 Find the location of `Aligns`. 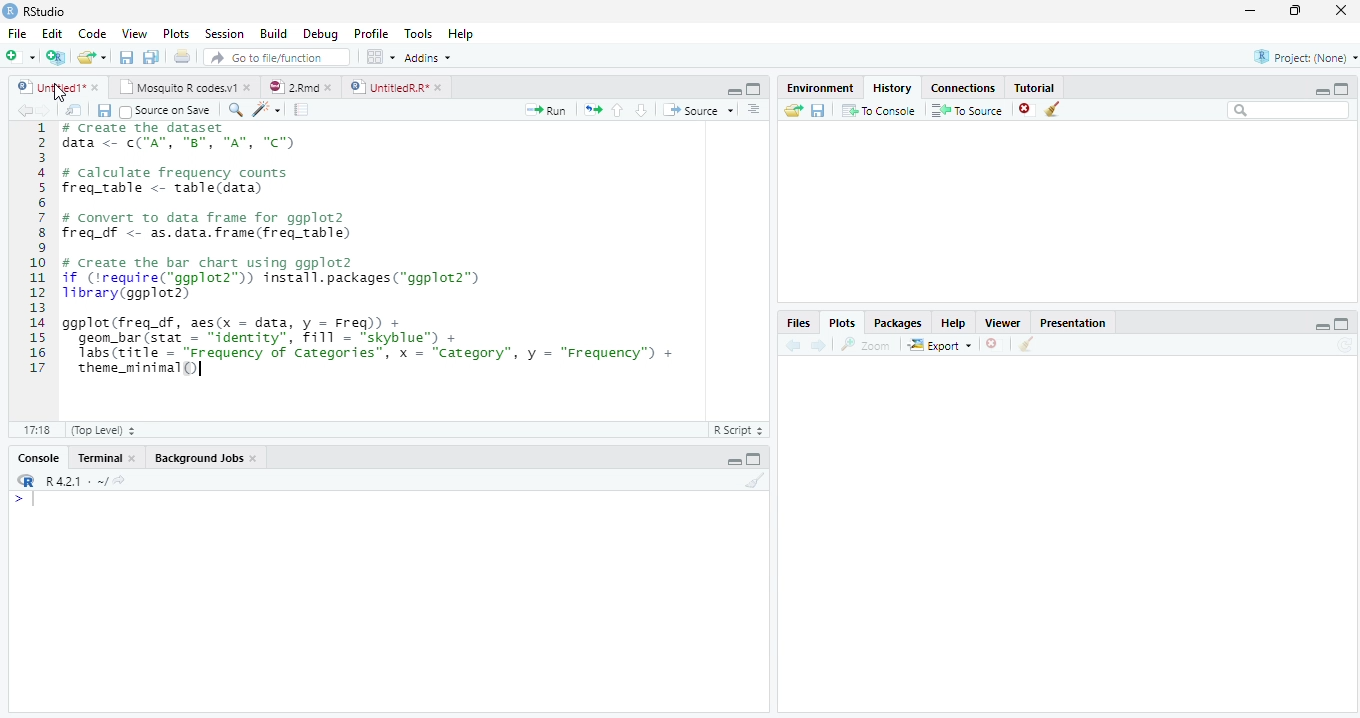

Aligns is located at coordinates (755, 110).